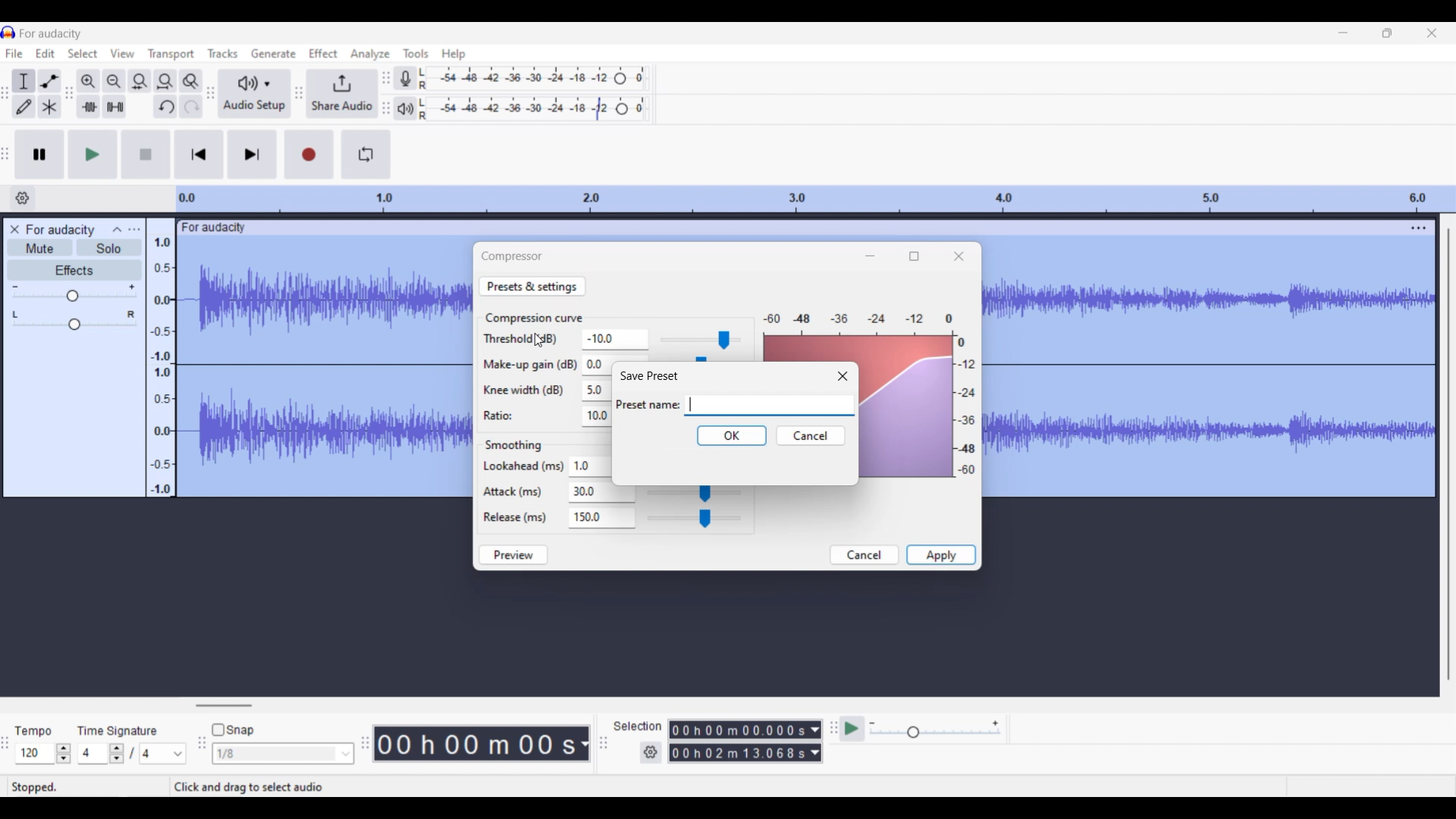 This screenshot has height=819, width=1456. I want to click on Analyze, so click(369, 54).